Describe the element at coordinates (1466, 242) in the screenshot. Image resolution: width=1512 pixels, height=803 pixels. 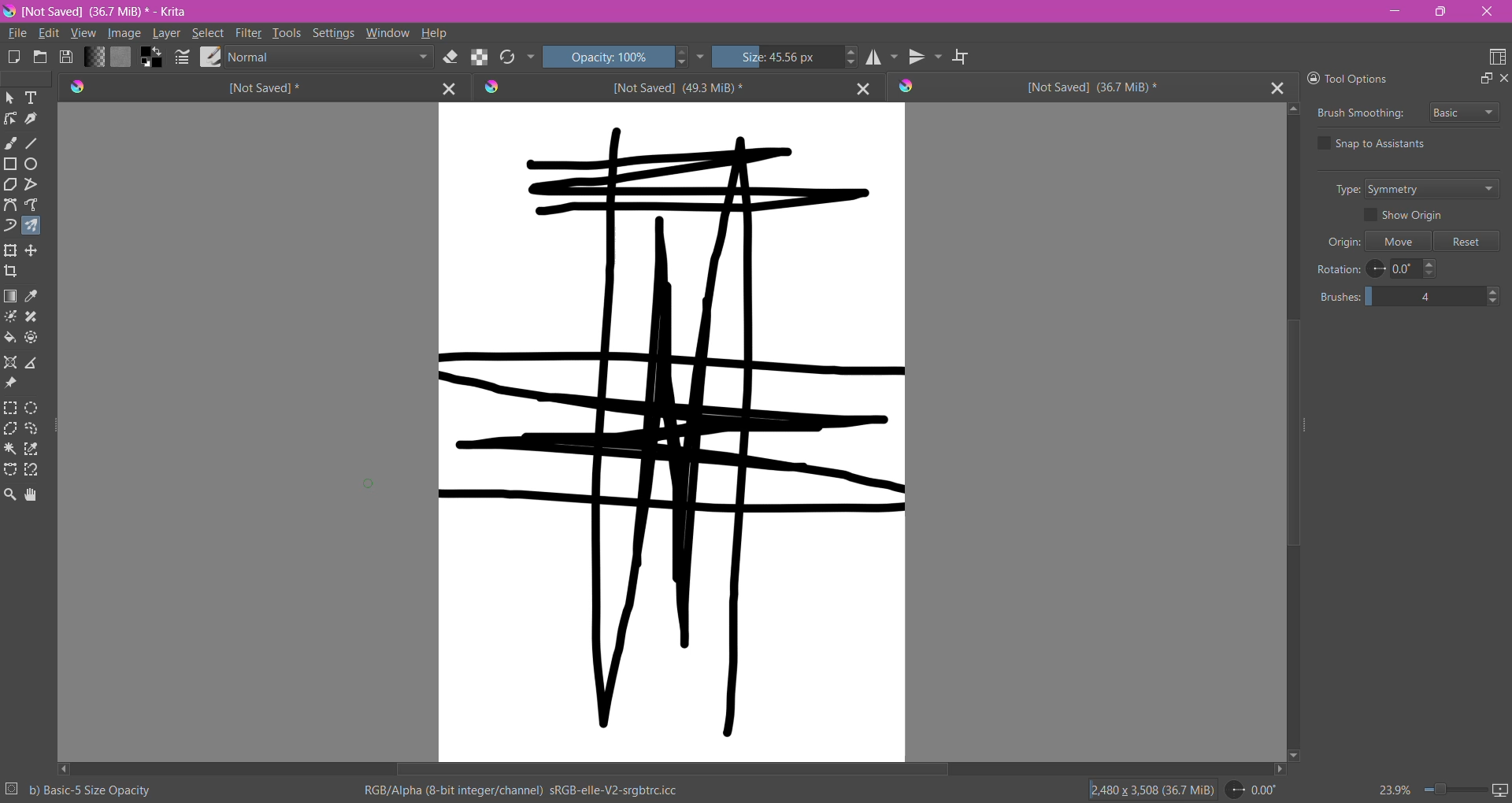
I see `Reset` at that location.